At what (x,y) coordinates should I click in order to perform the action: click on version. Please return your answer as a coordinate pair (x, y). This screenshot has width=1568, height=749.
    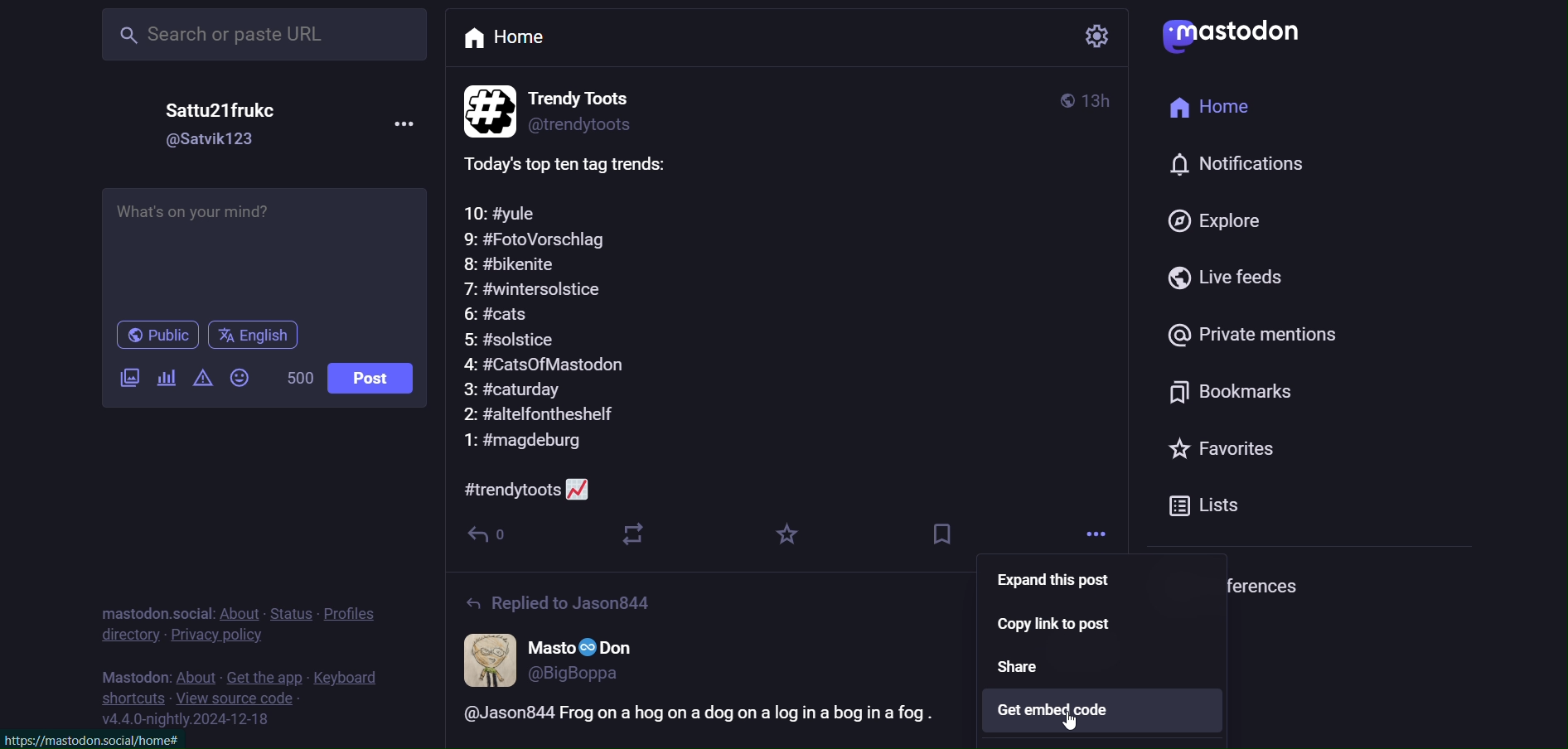
    Looking at the image, I should click on (190, 722).